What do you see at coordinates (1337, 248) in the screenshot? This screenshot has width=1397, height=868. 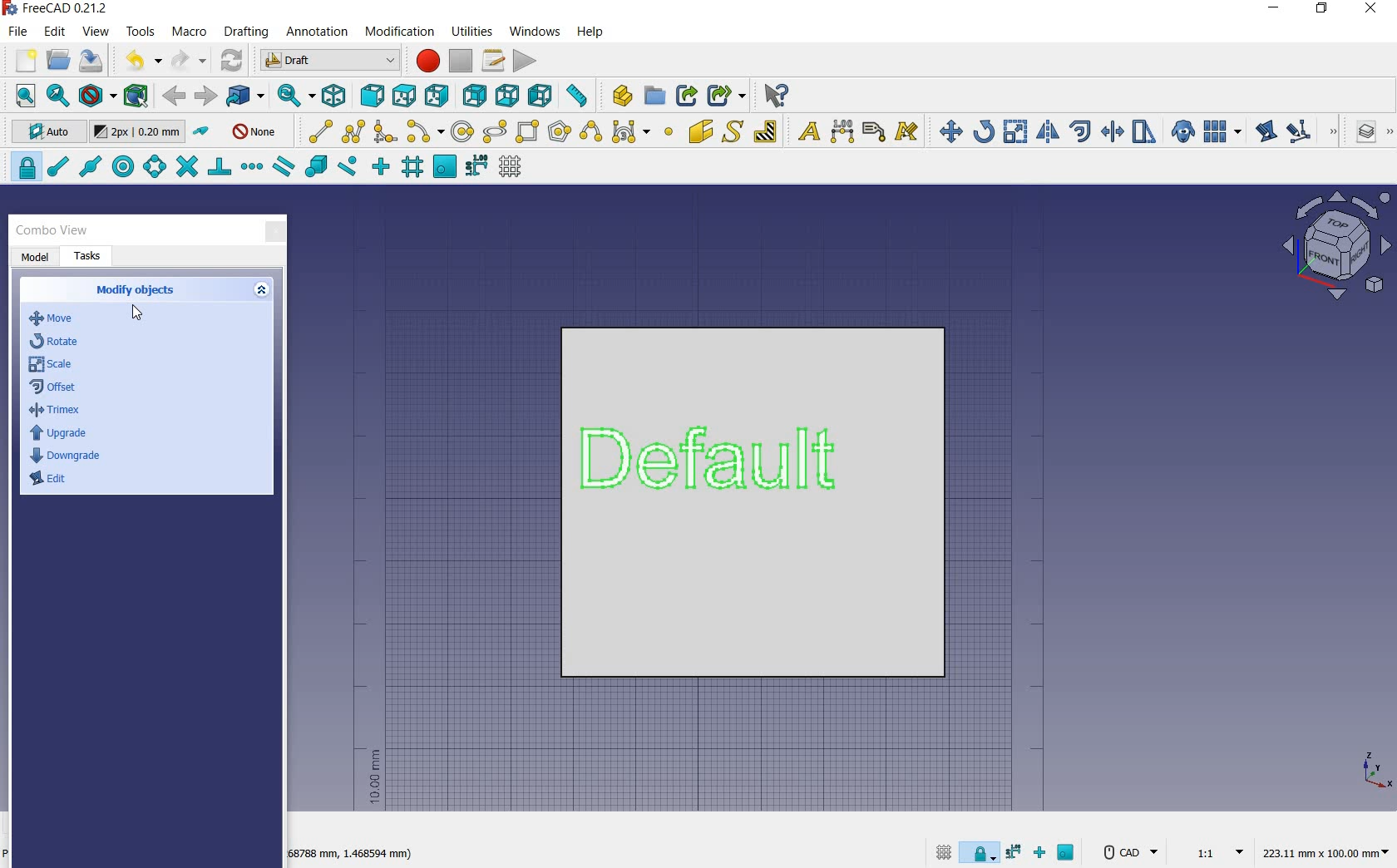 I see `view plane options` at bounding box center [1337, 248].